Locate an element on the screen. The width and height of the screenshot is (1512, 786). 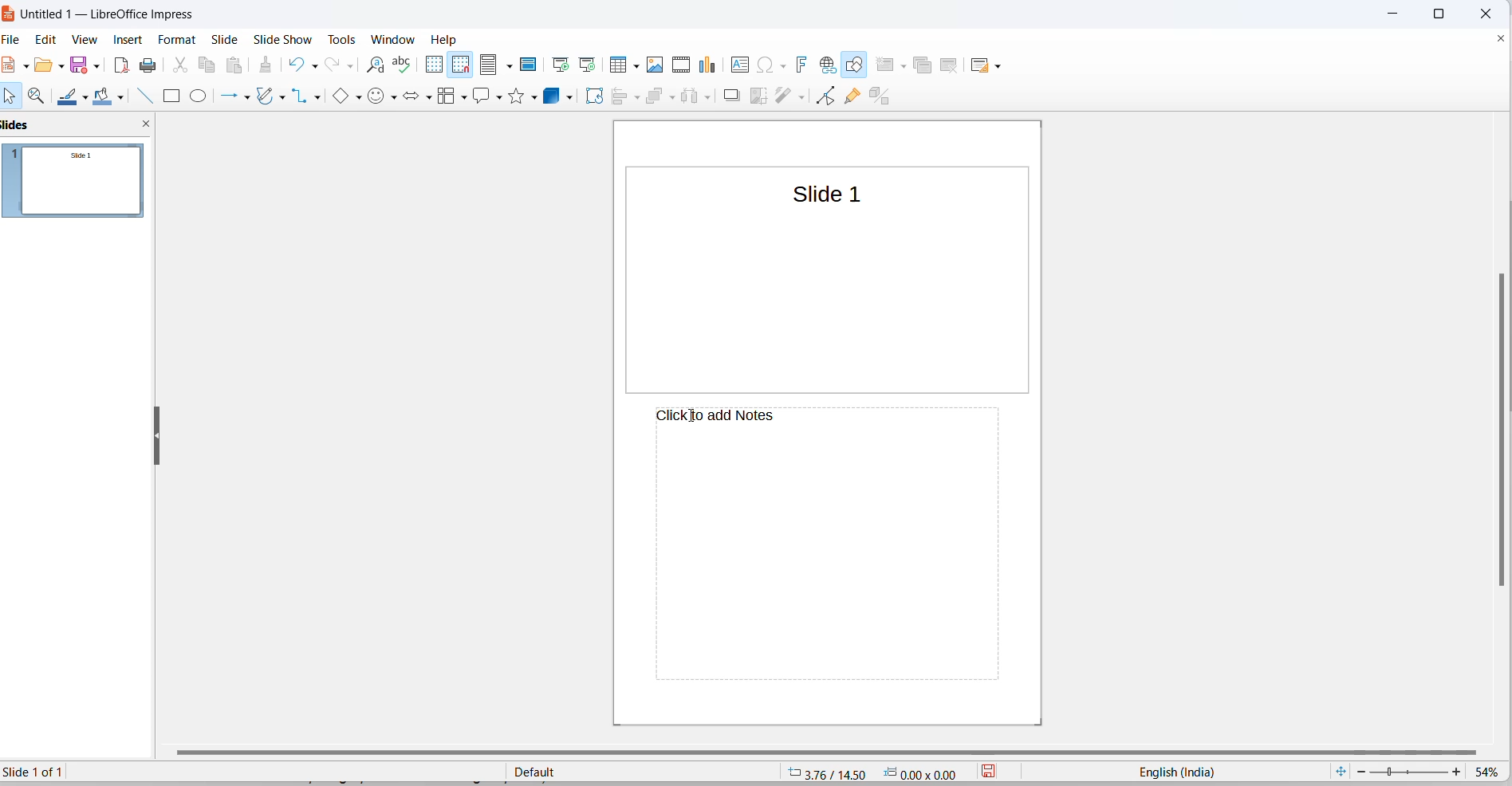
slide title is located at coordinates (820, 194).